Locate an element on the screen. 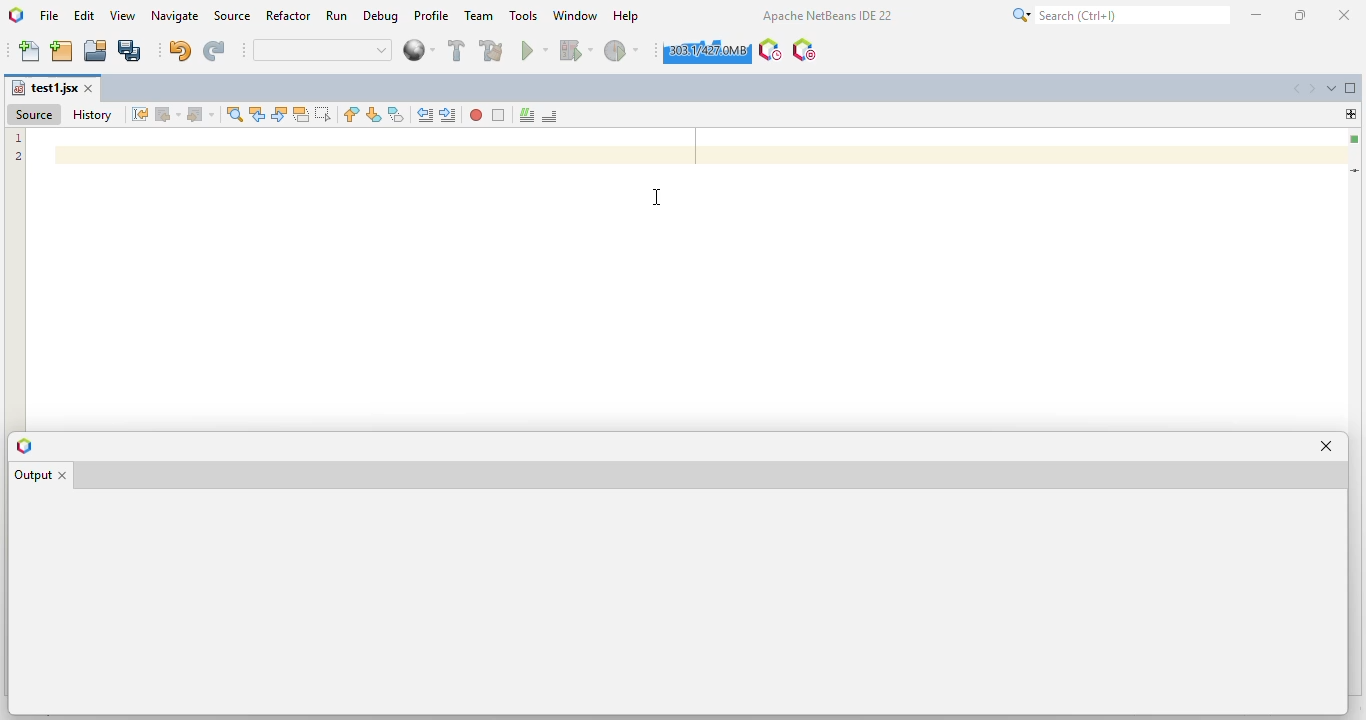  logo is located at coordinates (16, 15).